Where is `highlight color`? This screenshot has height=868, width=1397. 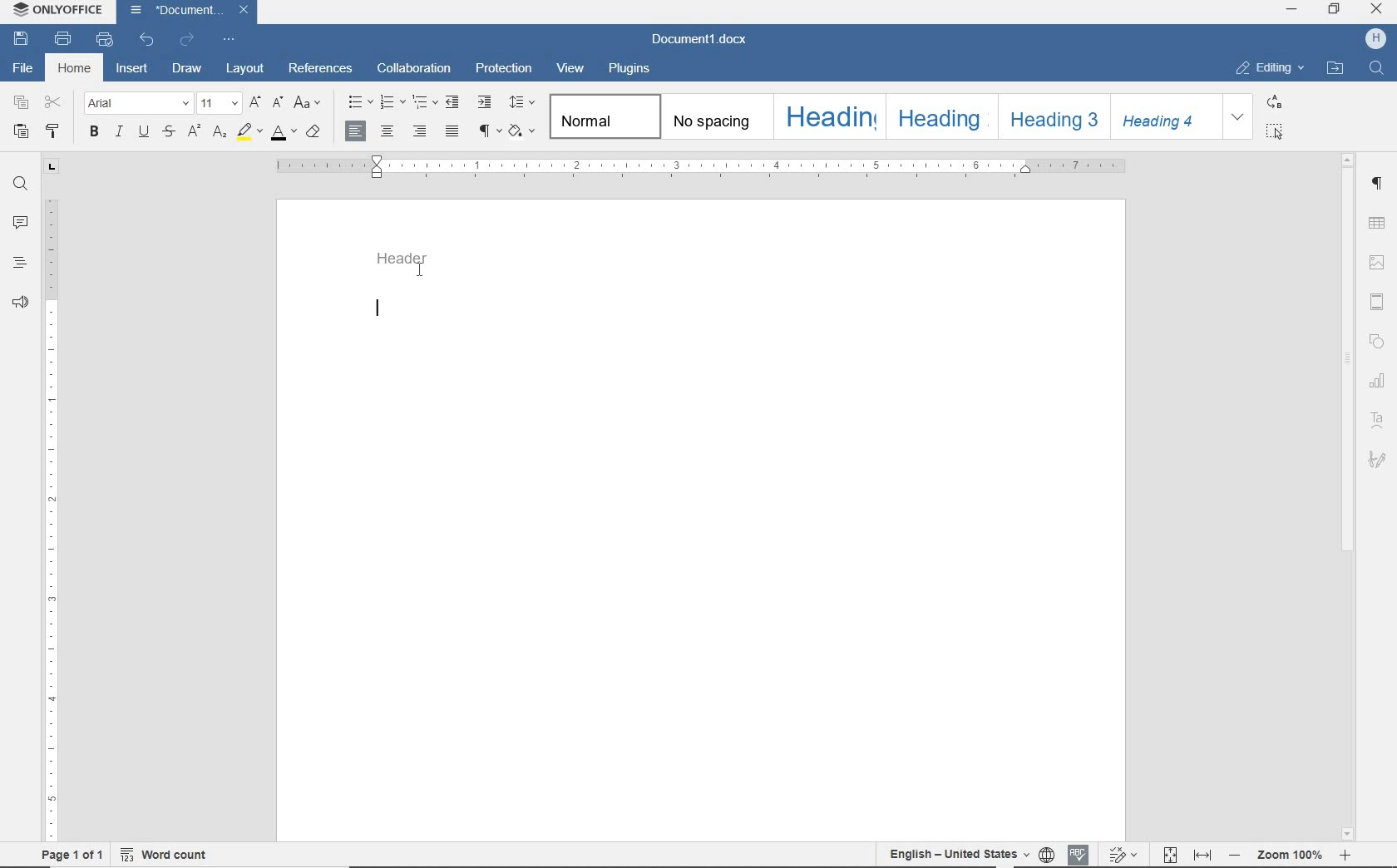
highlight color is located at coordinates (249, 133).